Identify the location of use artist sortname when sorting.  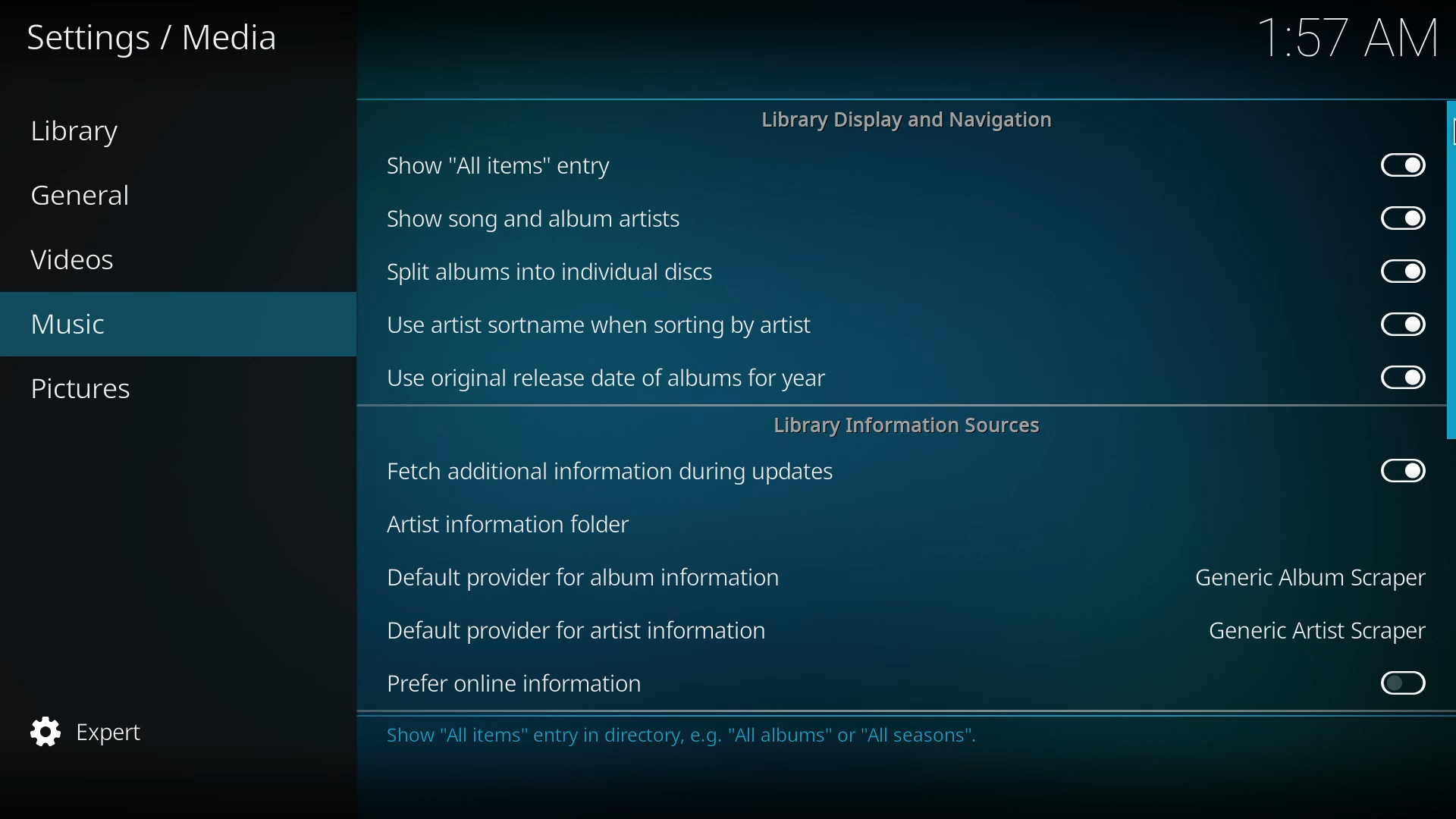
(604, 325).